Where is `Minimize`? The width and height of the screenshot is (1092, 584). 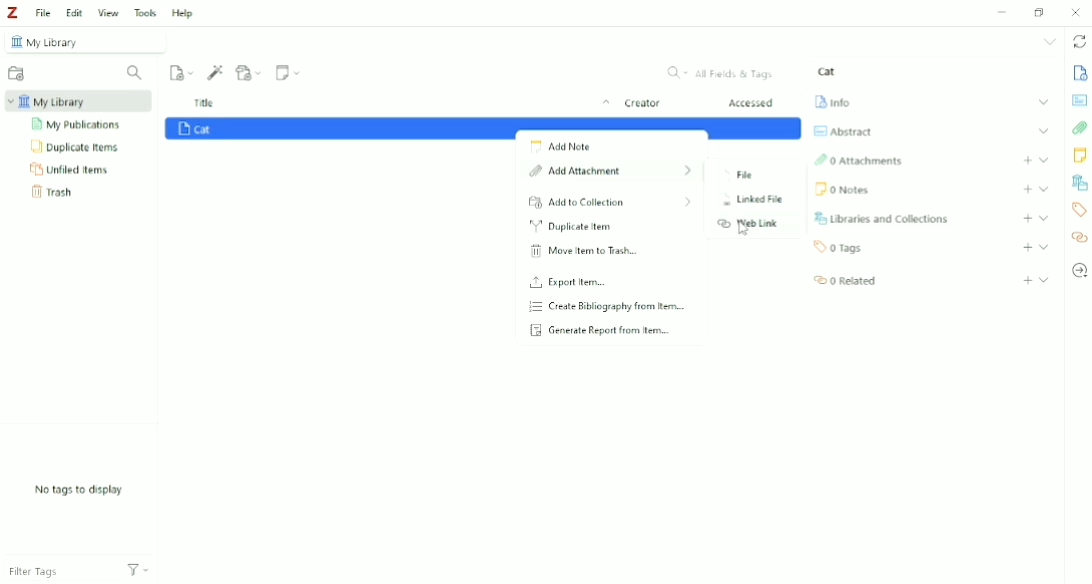 Minimize is located at coordinates (999, 13).